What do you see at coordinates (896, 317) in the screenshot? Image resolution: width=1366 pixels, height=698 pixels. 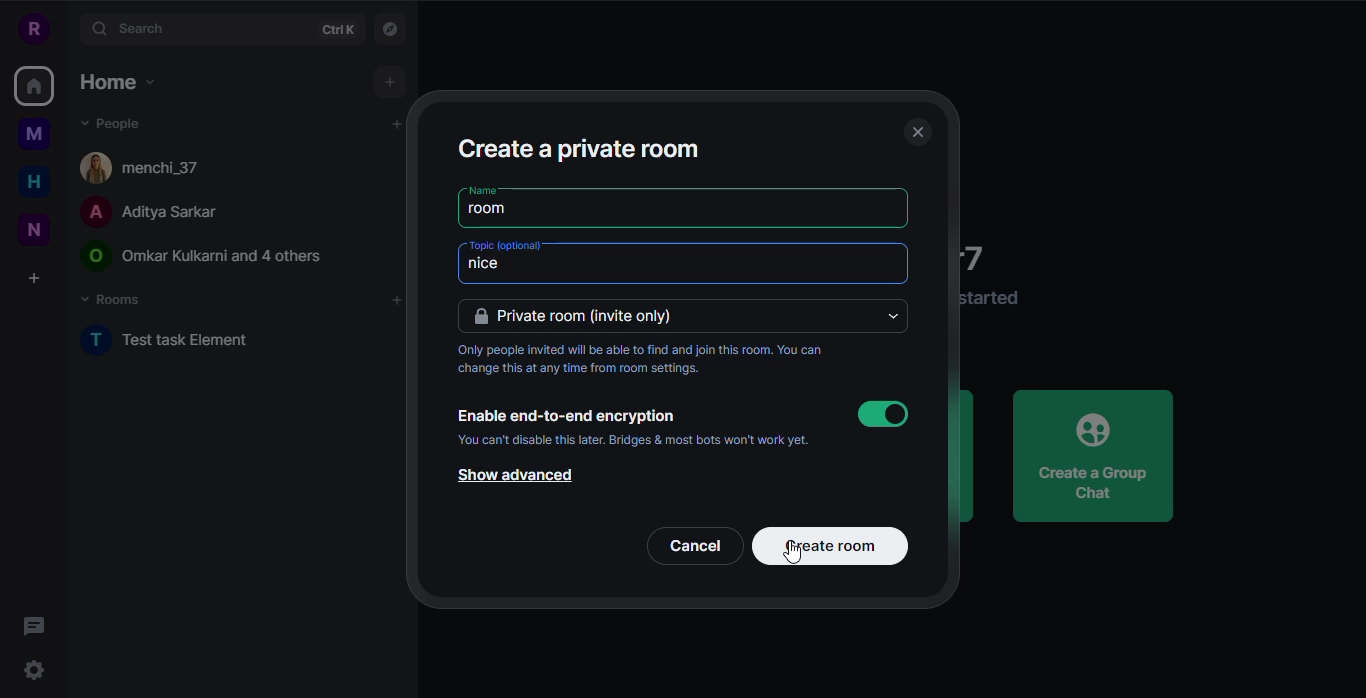 I see `drop down` at bounding box center [896, 317].